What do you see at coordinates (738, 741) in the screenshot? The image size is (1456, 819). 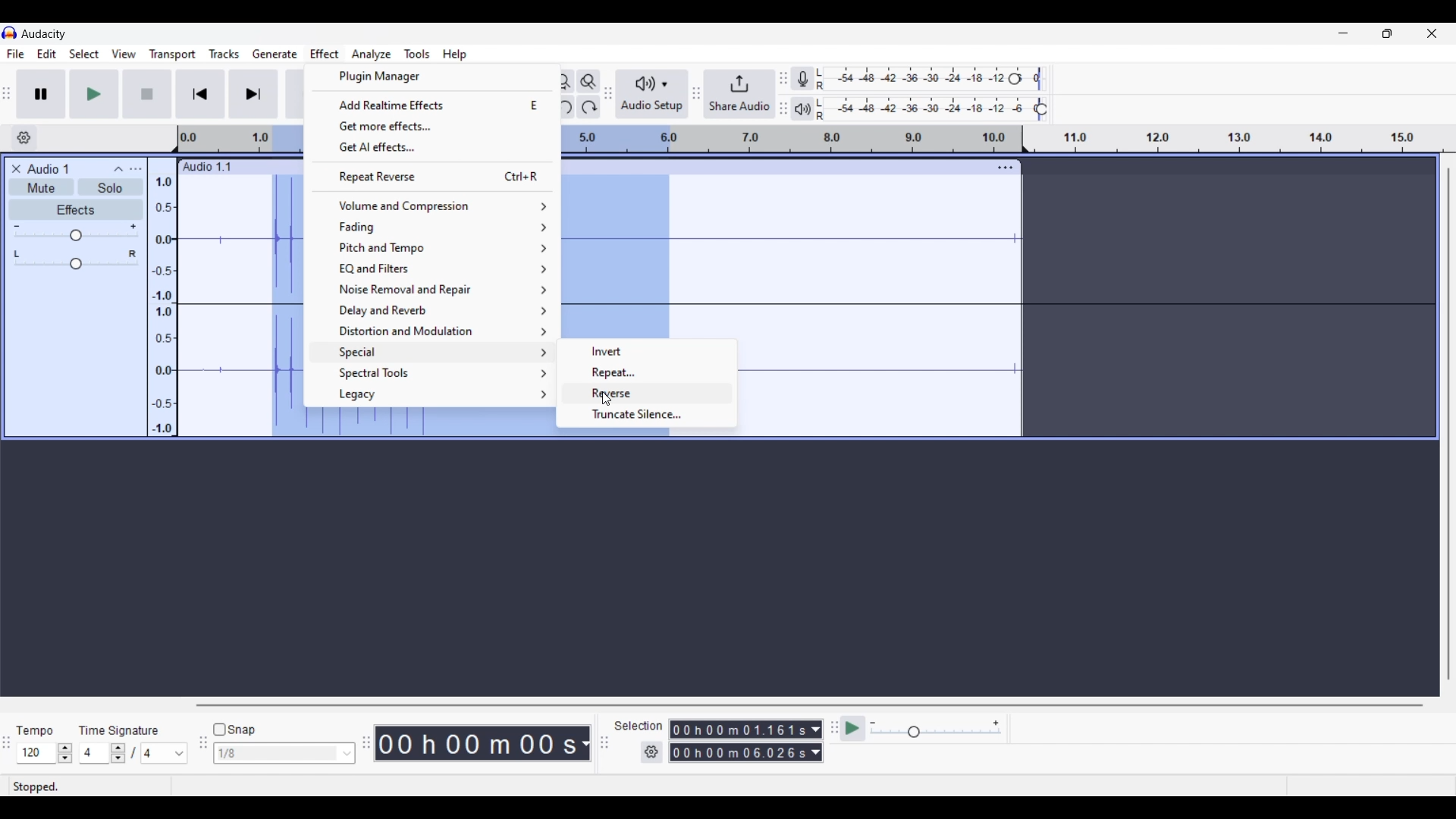 I see `Selection duration` at bounding box center [738, 741].